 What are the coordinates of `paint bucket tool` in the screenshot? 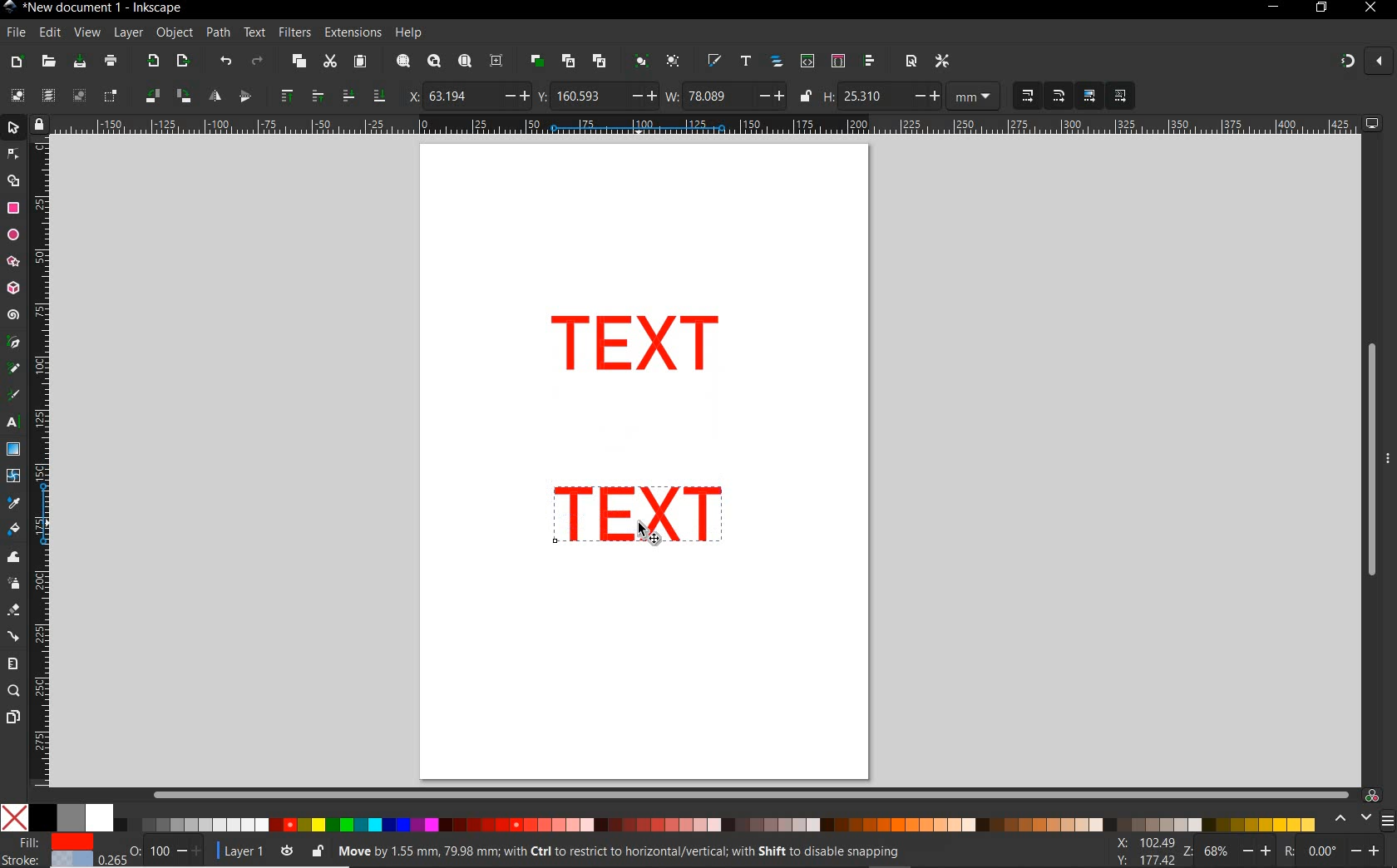 It's located at (14, 530).